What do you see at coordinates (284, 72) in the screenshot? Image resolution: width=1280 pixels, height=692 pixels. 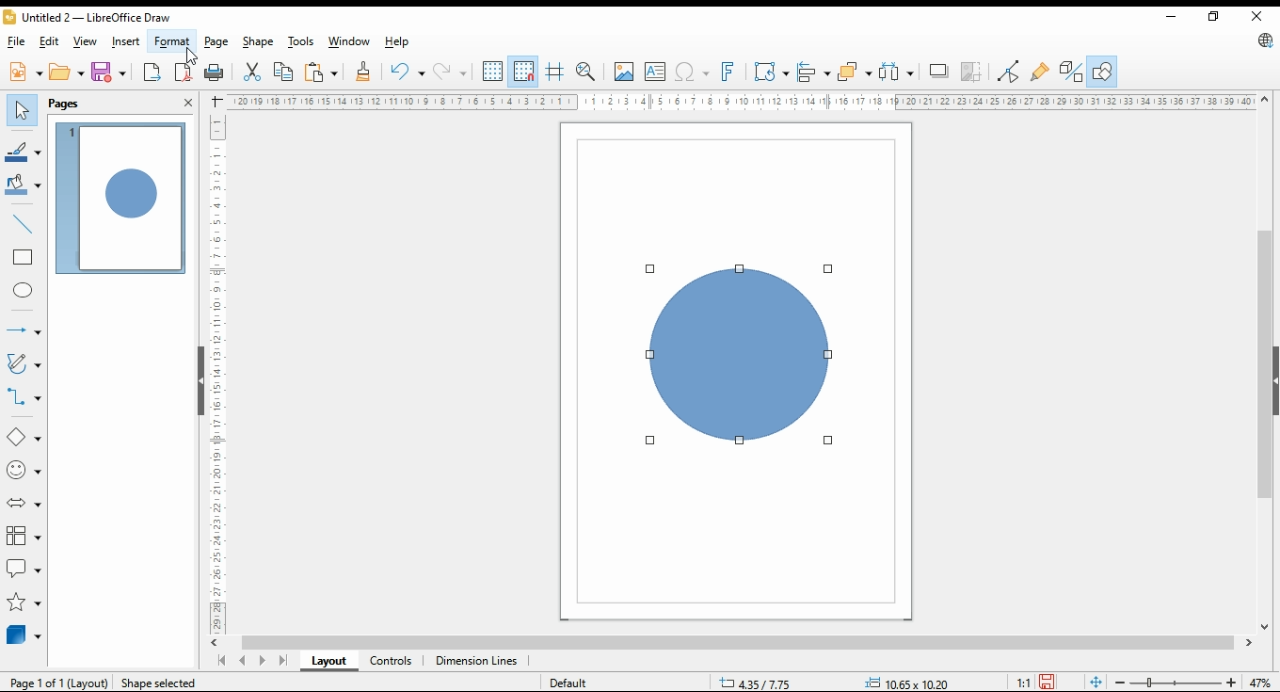 I see `copy` at bounding box center [284, 72].